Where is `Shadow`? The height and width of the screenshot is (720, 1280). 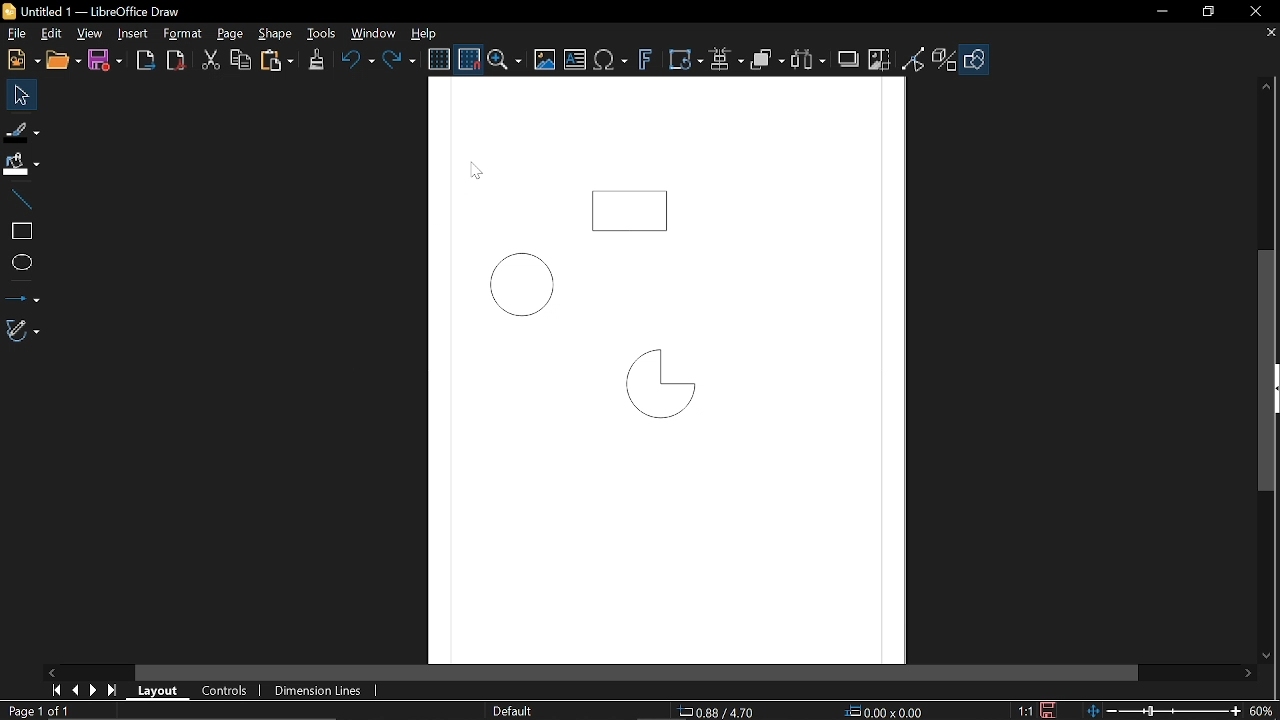 Shadow is located at coordinates (849, 59).